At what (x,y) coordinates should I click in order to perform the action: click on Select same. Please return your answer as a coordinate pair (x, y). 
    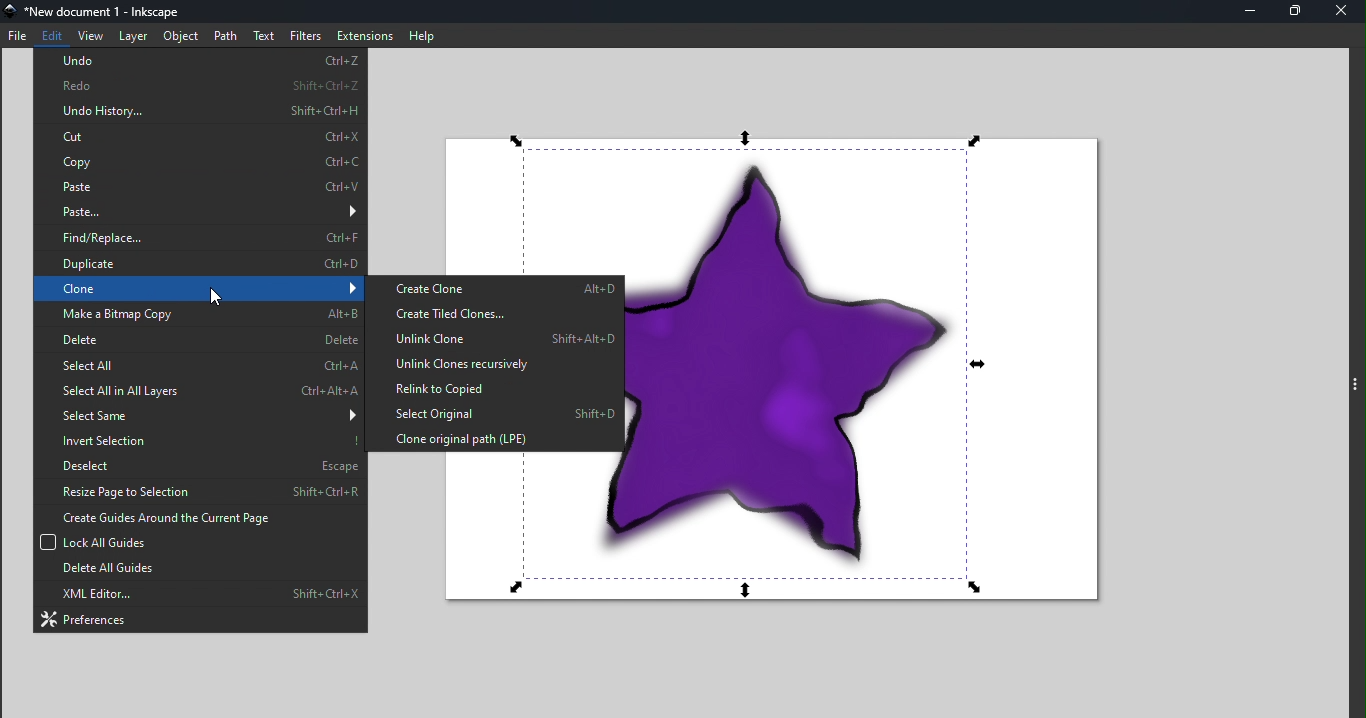
    Looking at the image, I should click on (202, 414).